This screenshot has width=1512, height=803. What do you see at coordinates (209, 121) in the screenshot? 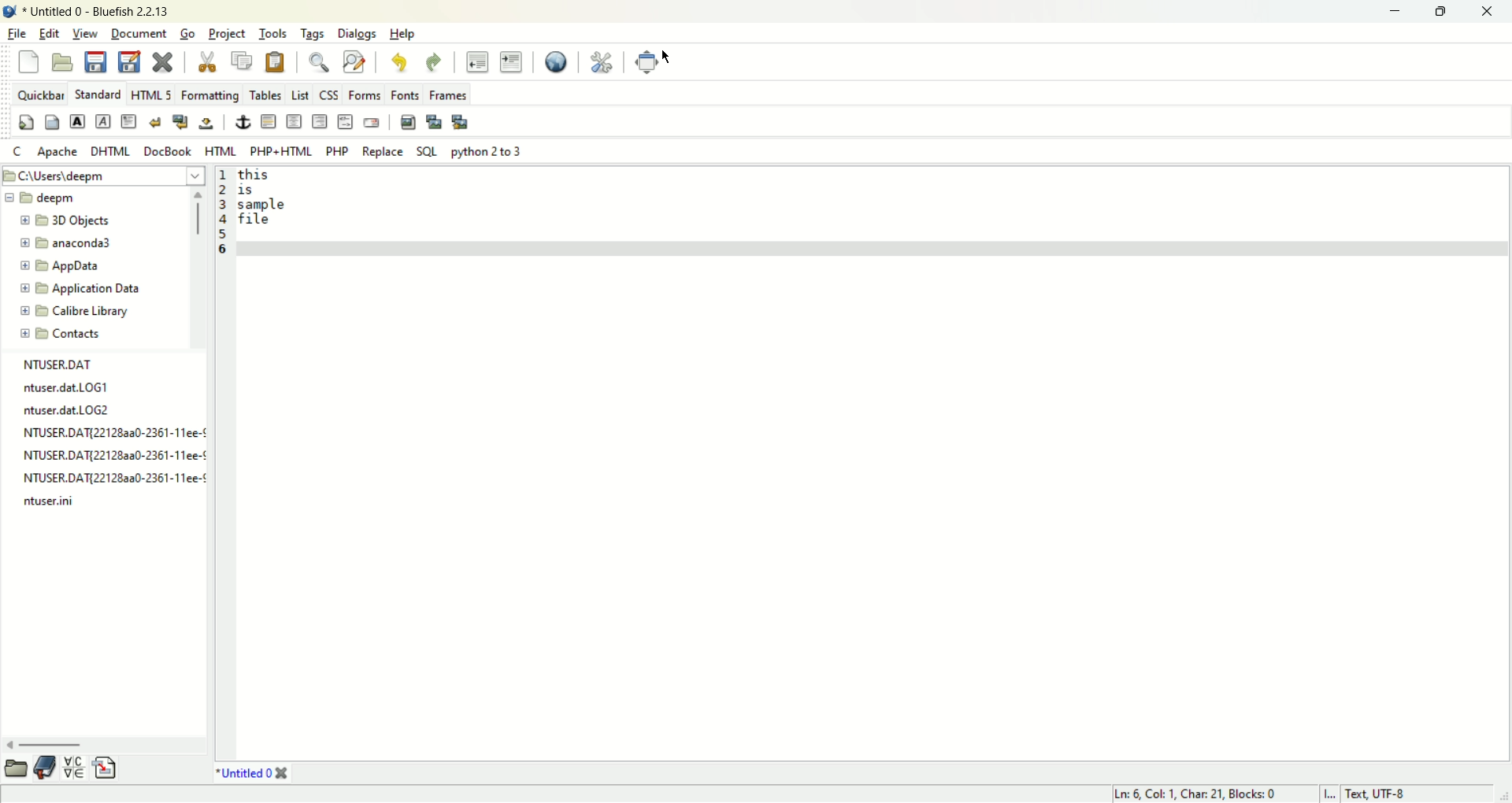
I see `non breaking space` at bounding box center [209, 121].